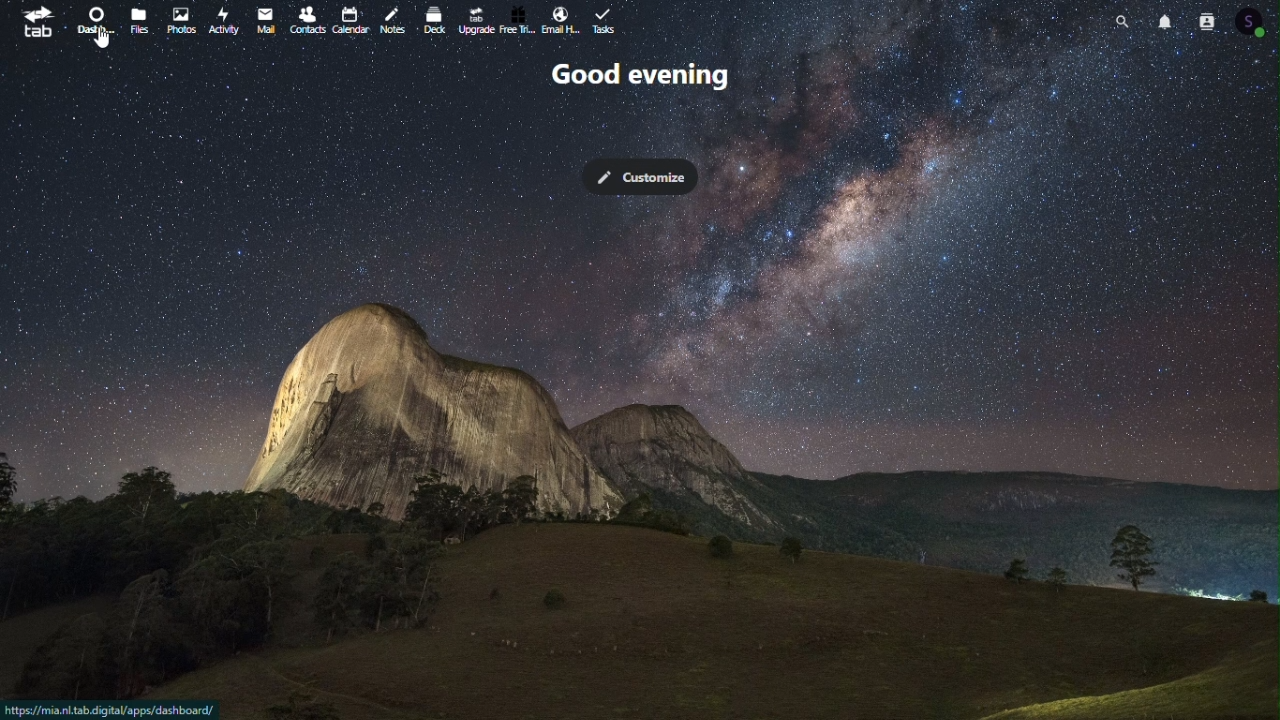 The height and width of the screenshot is (720, 1280). I want to click on Calendar, so click(352, 20).